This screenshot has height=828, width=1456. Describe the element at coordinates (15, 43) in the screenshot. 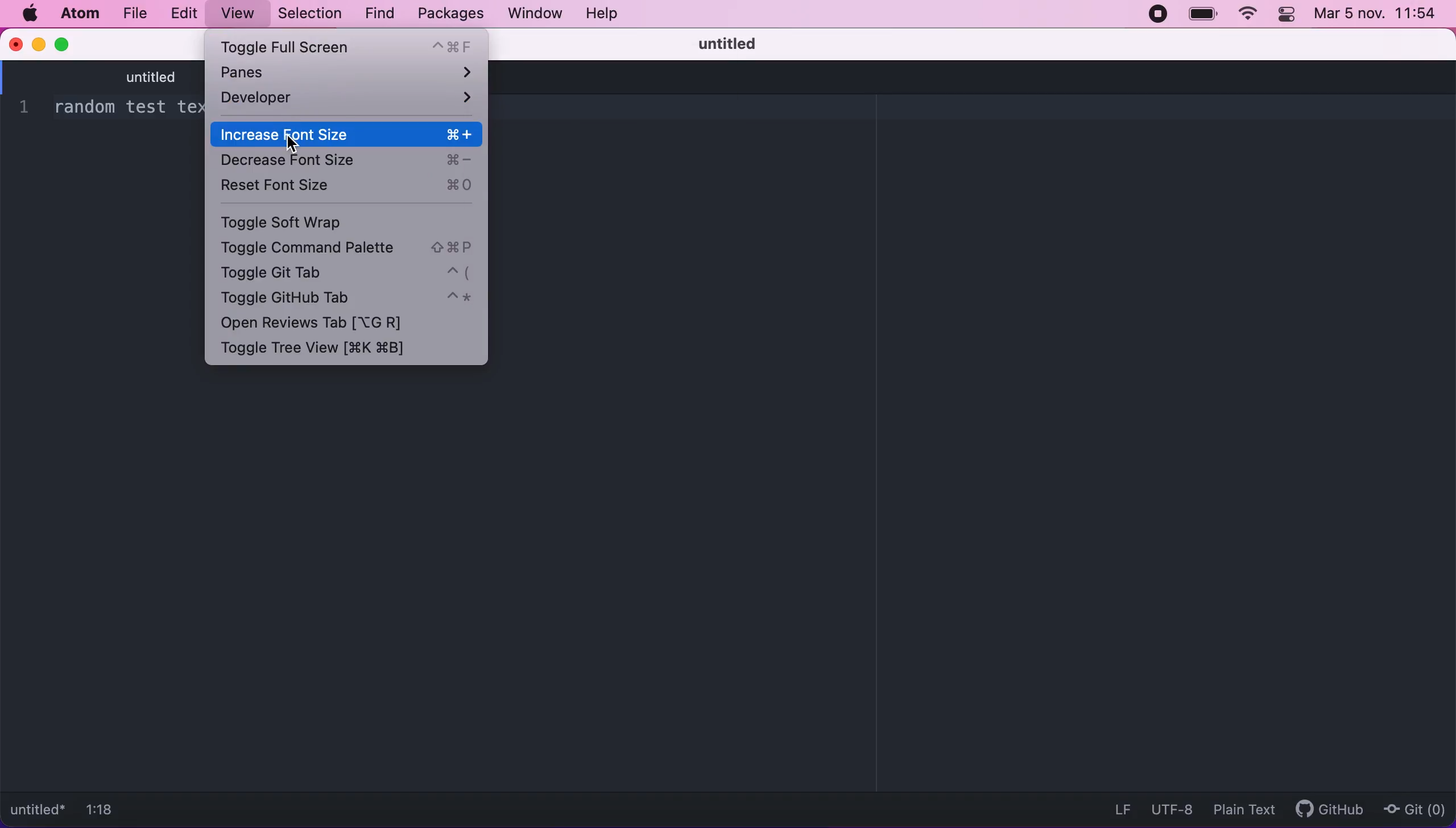

I see `close` at that location.